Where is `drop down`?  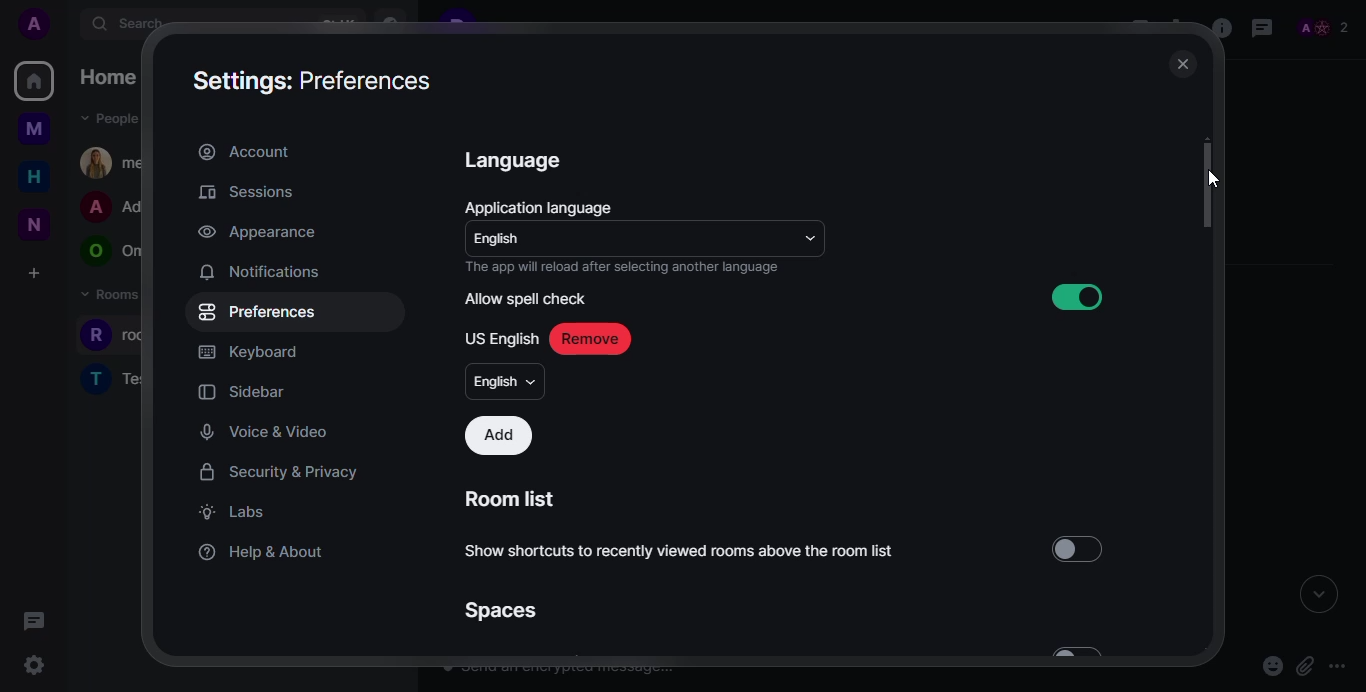 drop down is located at coordinates (810, 236).